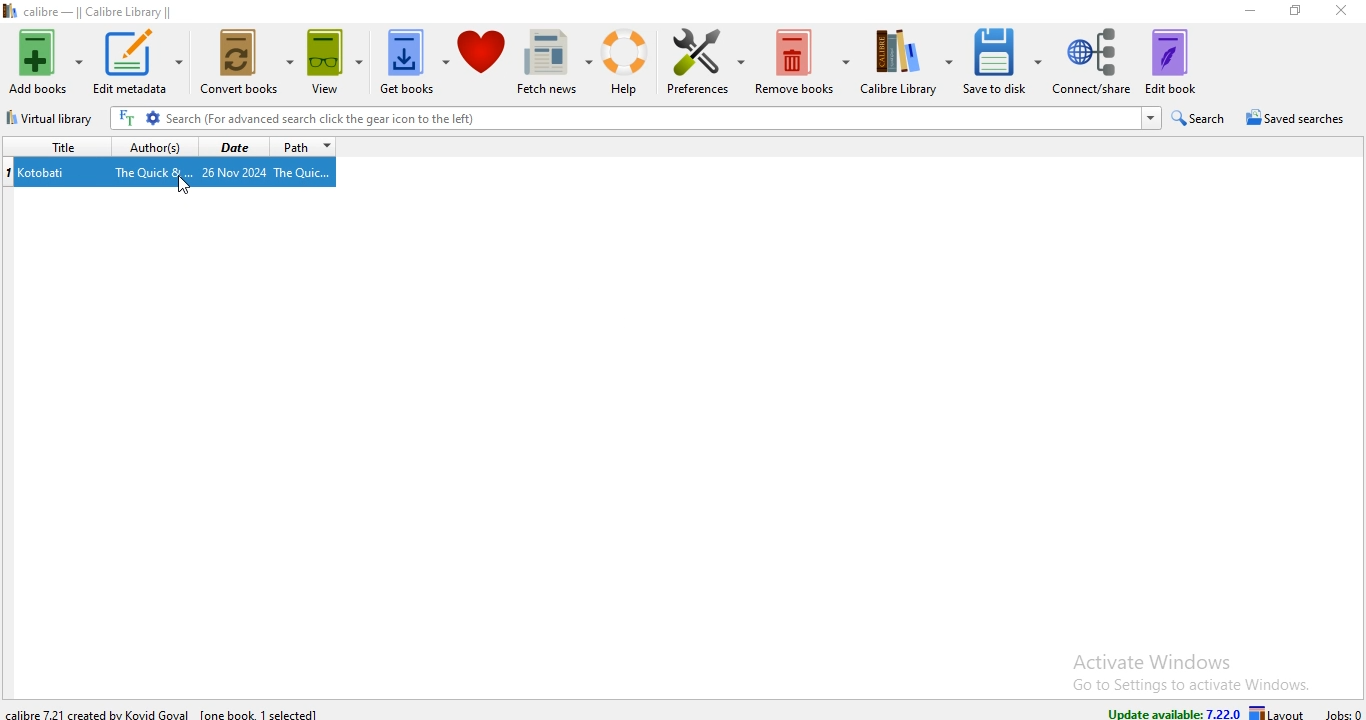  What do you see at coordinates (229, 146) in the screenshot?
I see `date` at bounding box center [229, 146].